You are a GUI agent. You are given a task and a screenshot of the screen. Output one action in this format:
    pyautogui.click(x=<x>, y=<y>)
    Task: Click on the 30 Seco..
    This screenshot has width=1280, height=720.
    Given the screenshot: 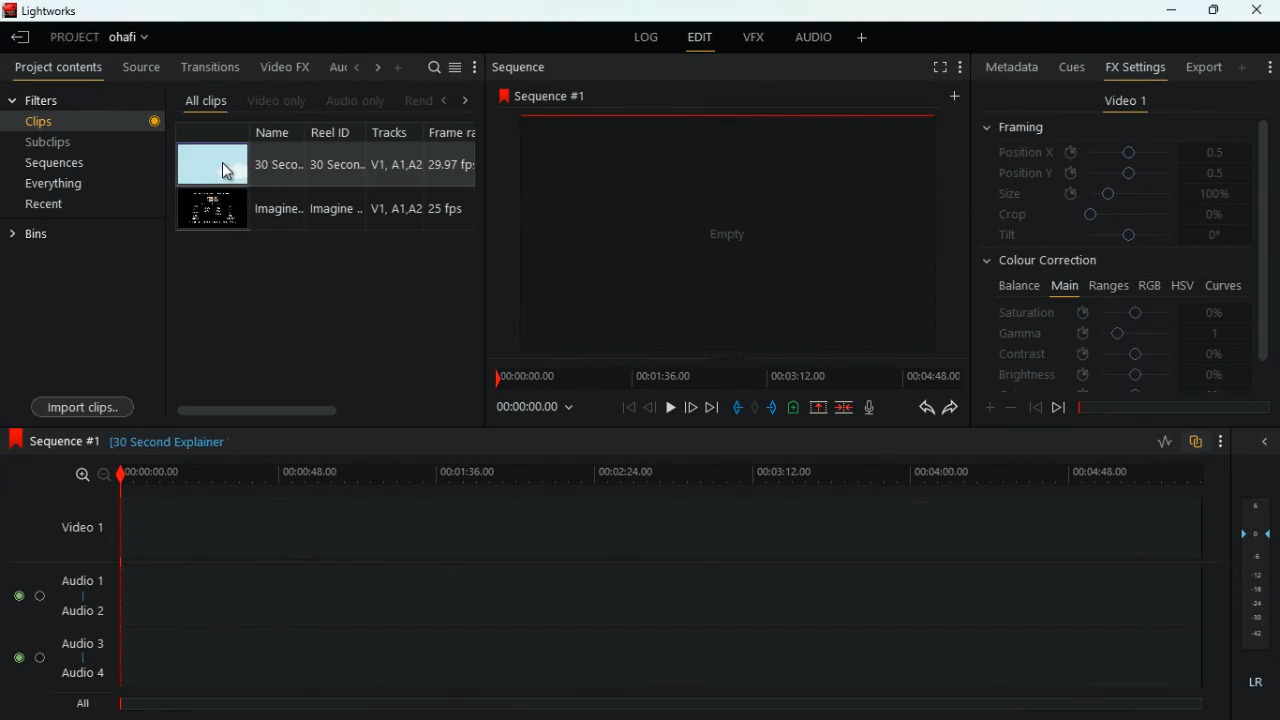 What is the action you would take?
    pyautogui.click(x=281, y=164)
    